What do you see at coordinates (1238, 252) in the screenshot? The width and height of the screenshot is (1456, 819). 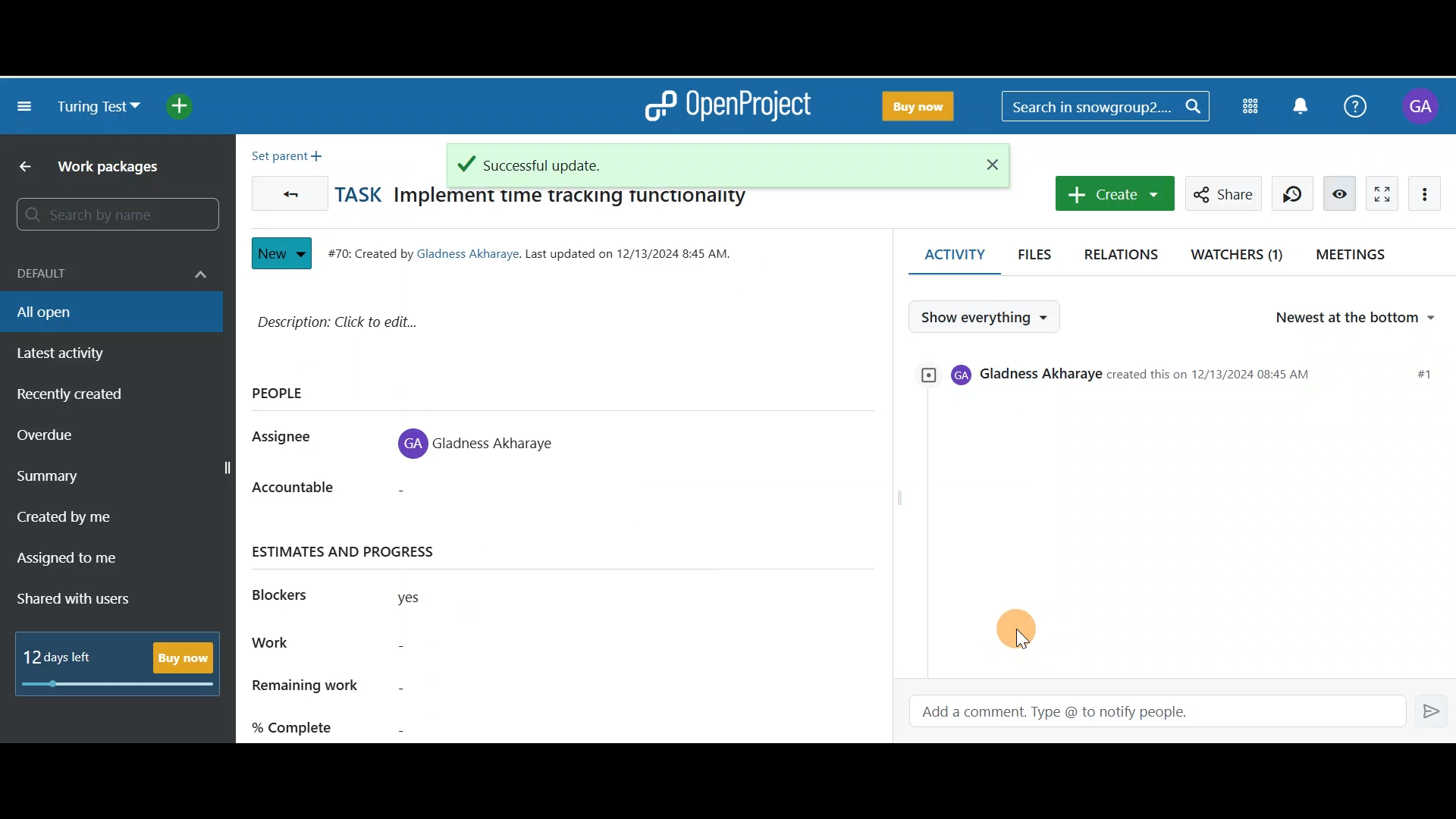 I see `Watchers` at bounding box center [1238, 252].